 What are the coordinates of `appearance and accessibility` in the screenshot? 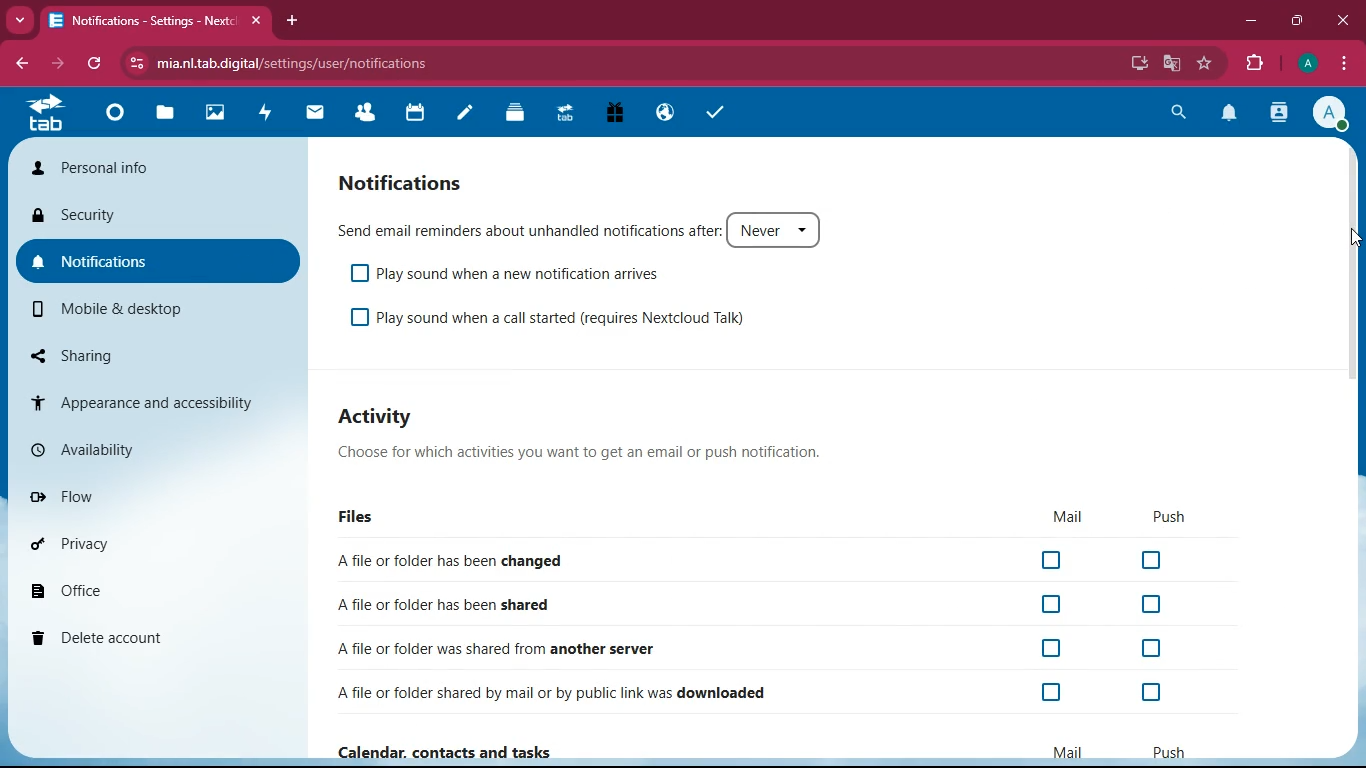 It's located at (156, 403).